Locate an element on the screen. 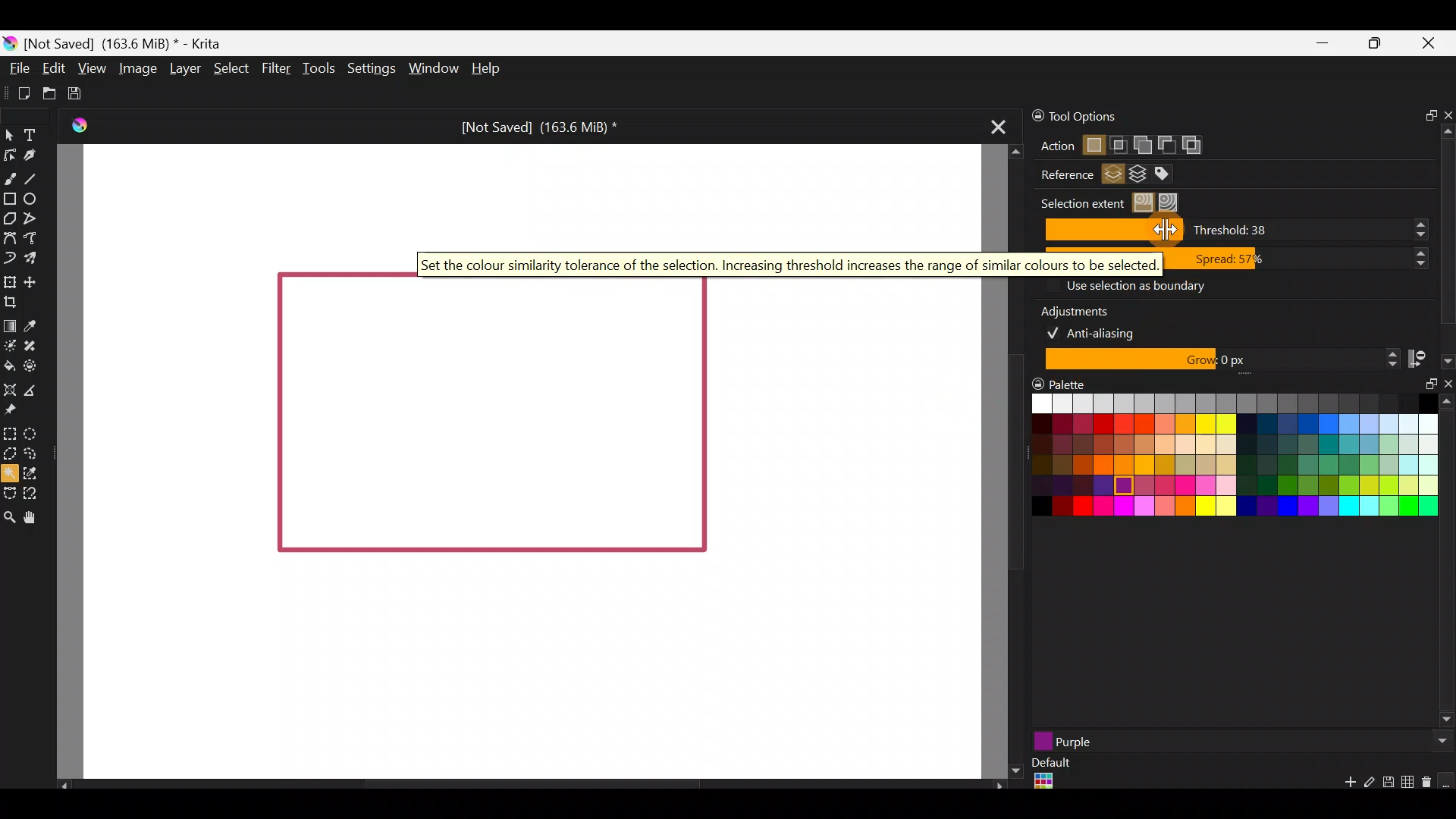 The width and height of the screenshot is (1456, 819). Subtract is located at coordinates (1166, 143).